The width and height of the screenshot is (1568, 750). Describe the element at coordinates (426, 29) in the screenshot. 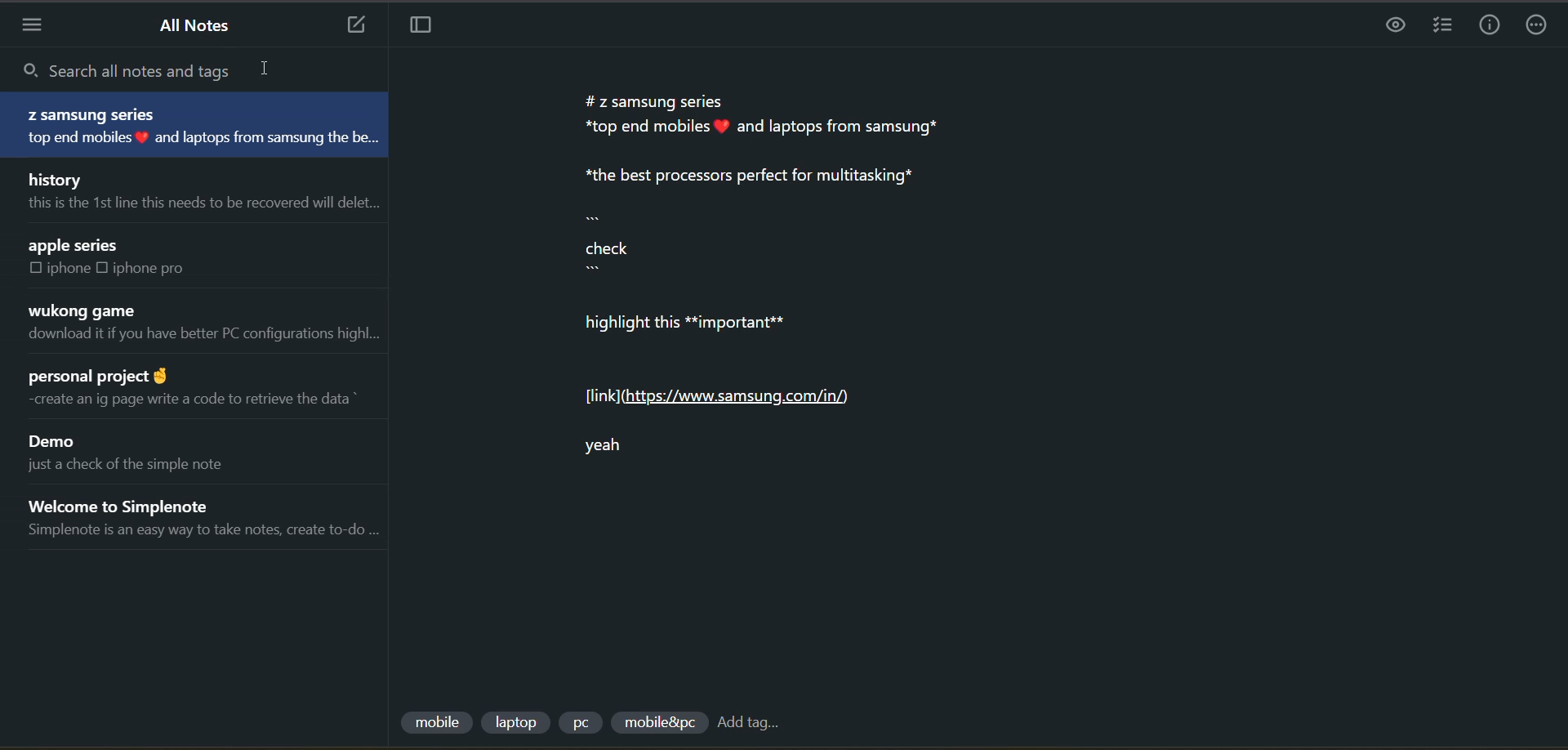

I see `toggle focus mode` at that location.